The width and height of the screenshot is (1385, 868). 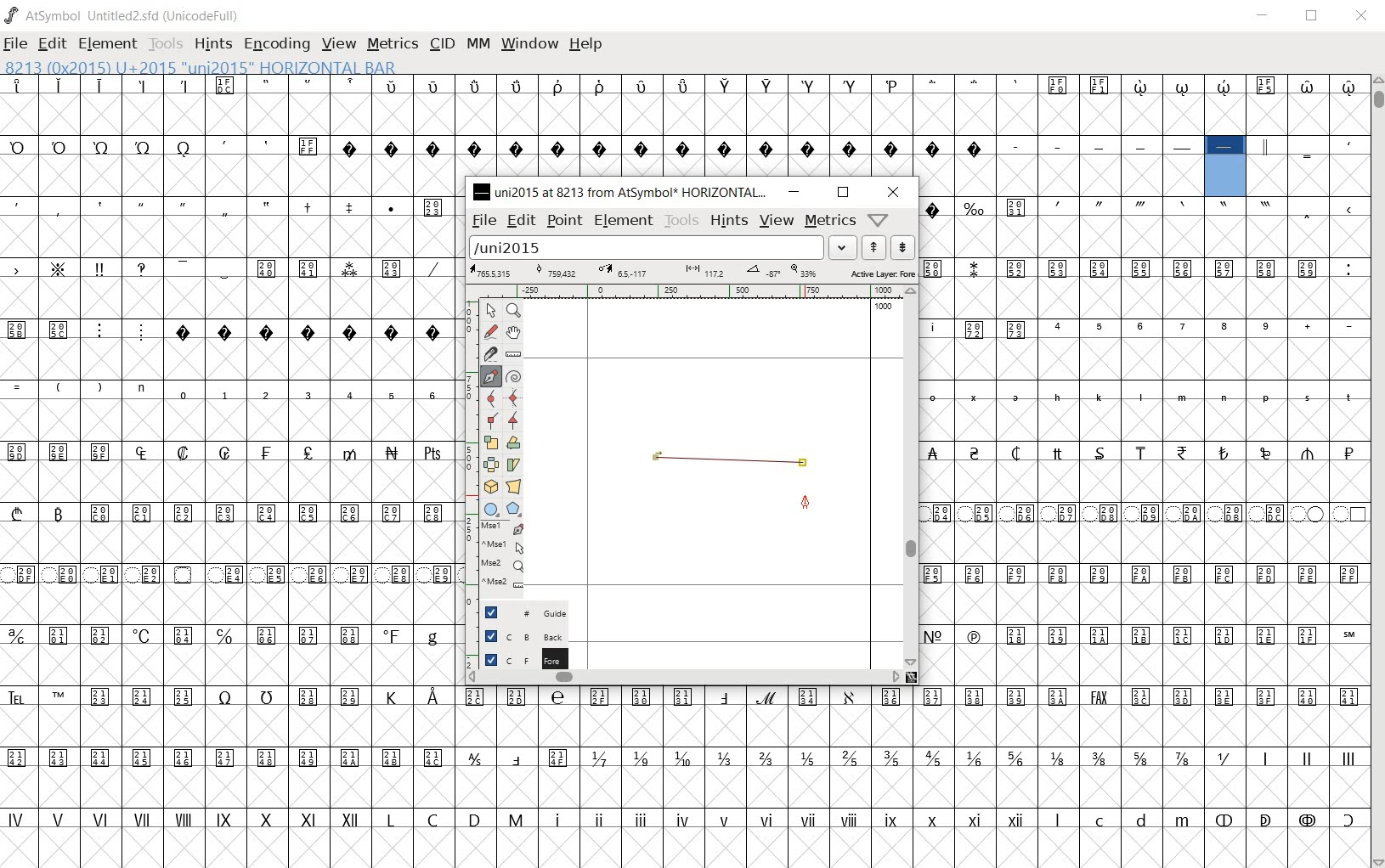 I want to click on add a point, then drag out its control points, so click(x=488, y=375).